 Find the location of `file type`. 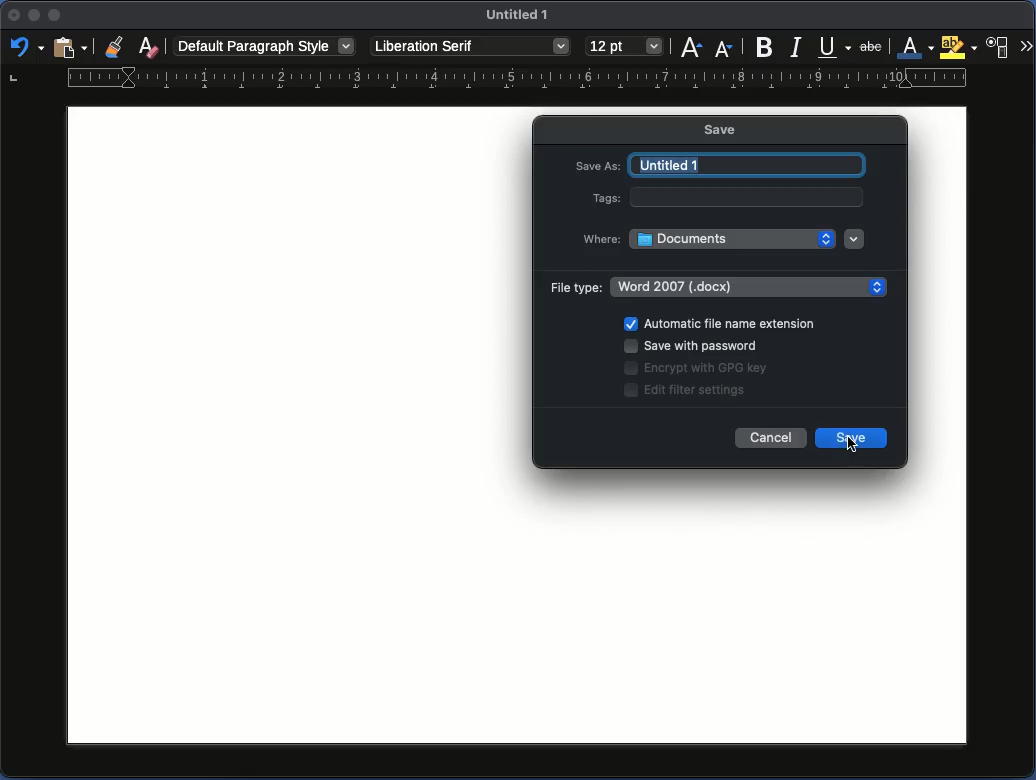

file type is located at coordinates (751, 285).